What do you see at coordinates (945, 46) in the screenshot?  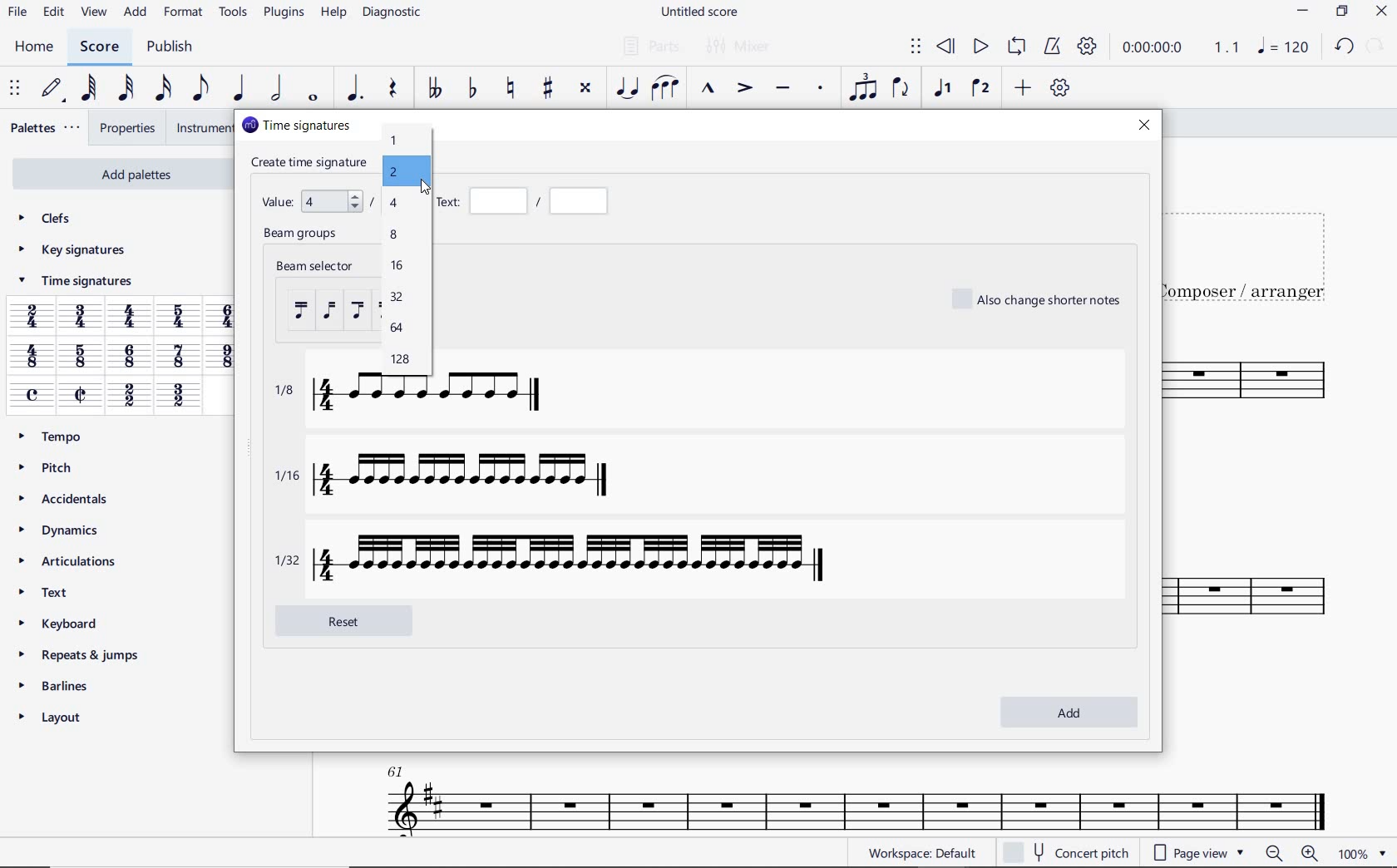 I see `REWIND` at bounding box center [945, 46].